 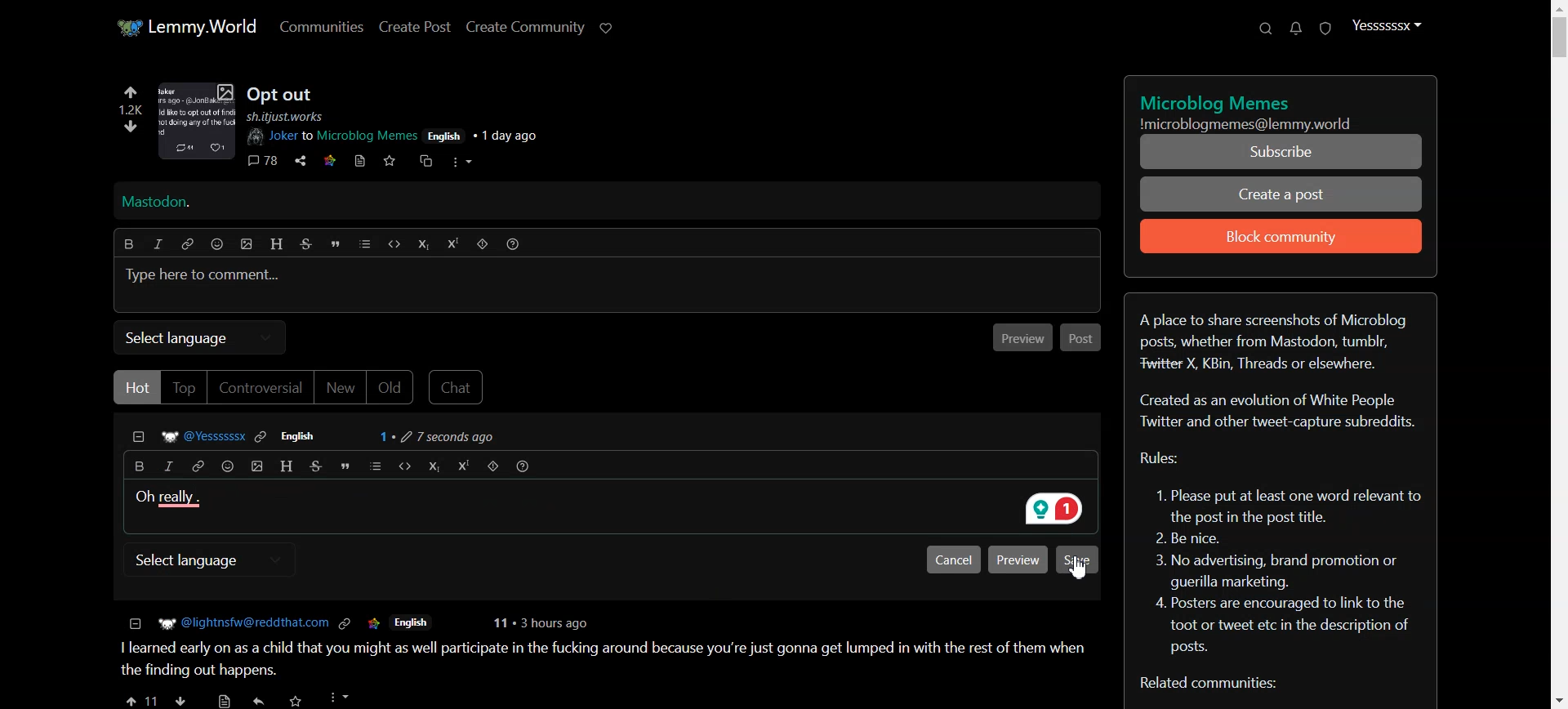 I want to click on Subscript, so click(x=423, y=244).